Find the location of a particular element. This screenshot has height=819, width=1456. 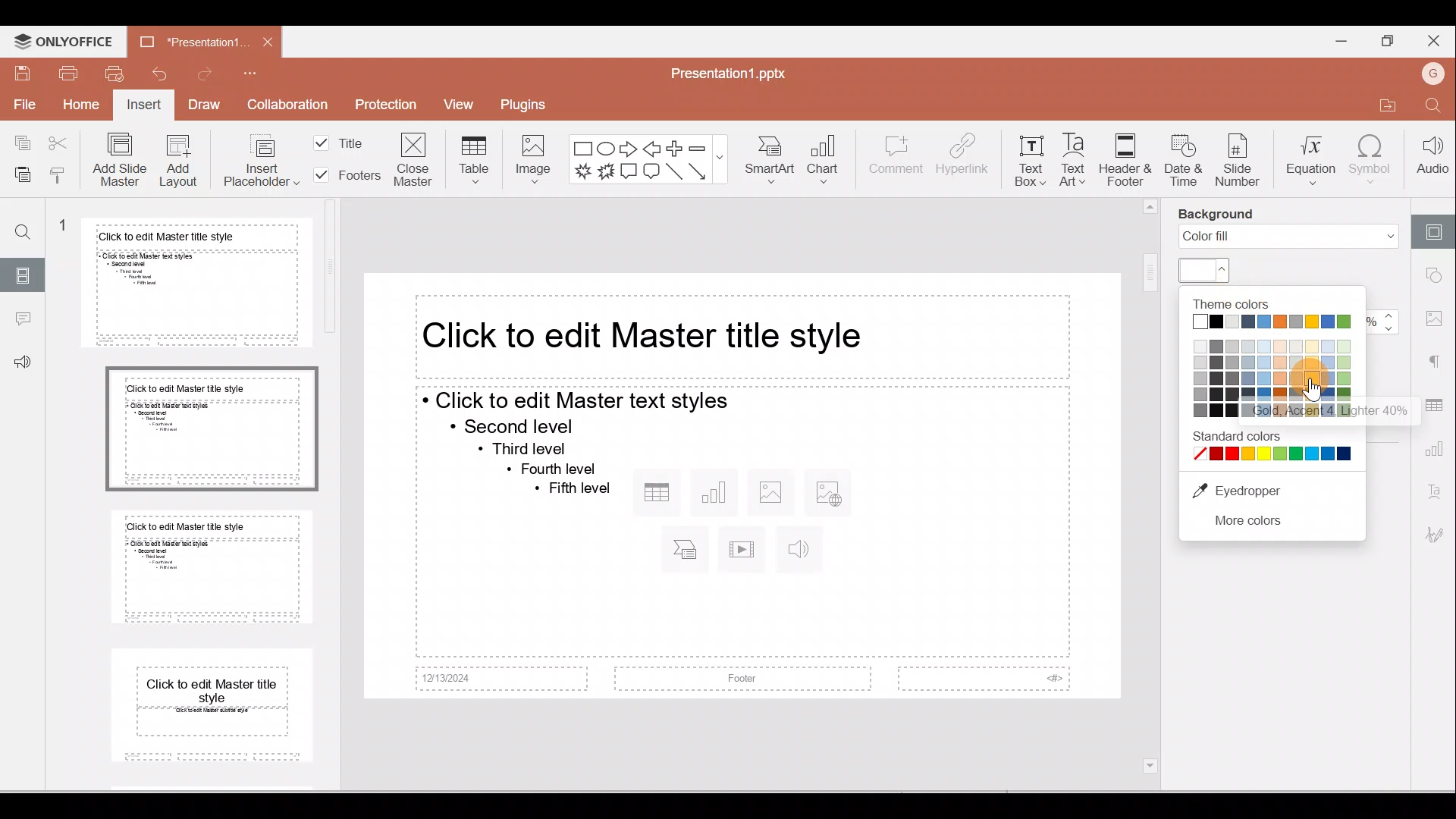

Account name is located at coordinates (1436, 74).